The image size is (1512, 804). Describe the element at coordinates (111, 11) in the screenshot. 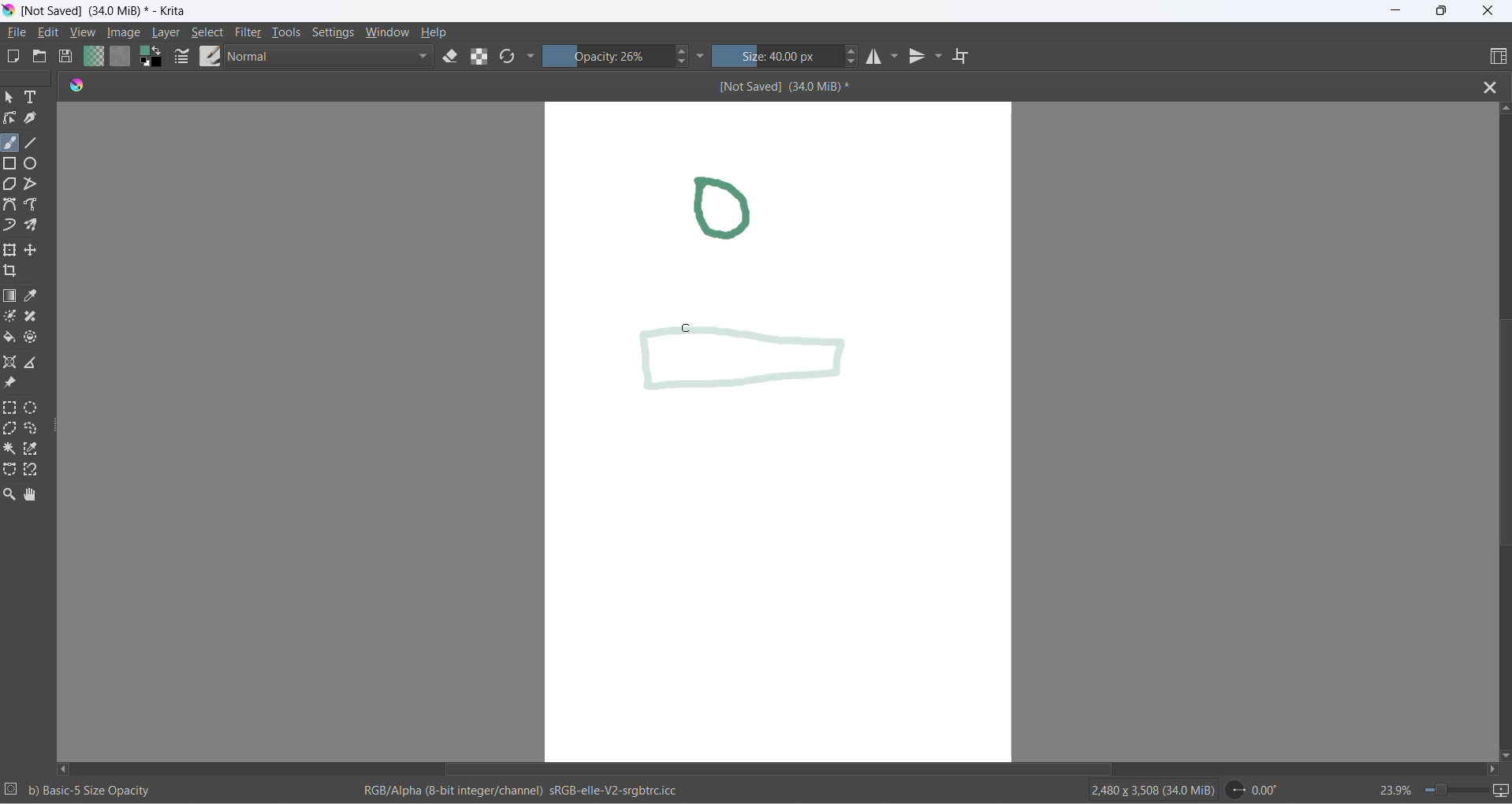

I see `[Not Saved] (340 MiB)* - Krita` at that location.